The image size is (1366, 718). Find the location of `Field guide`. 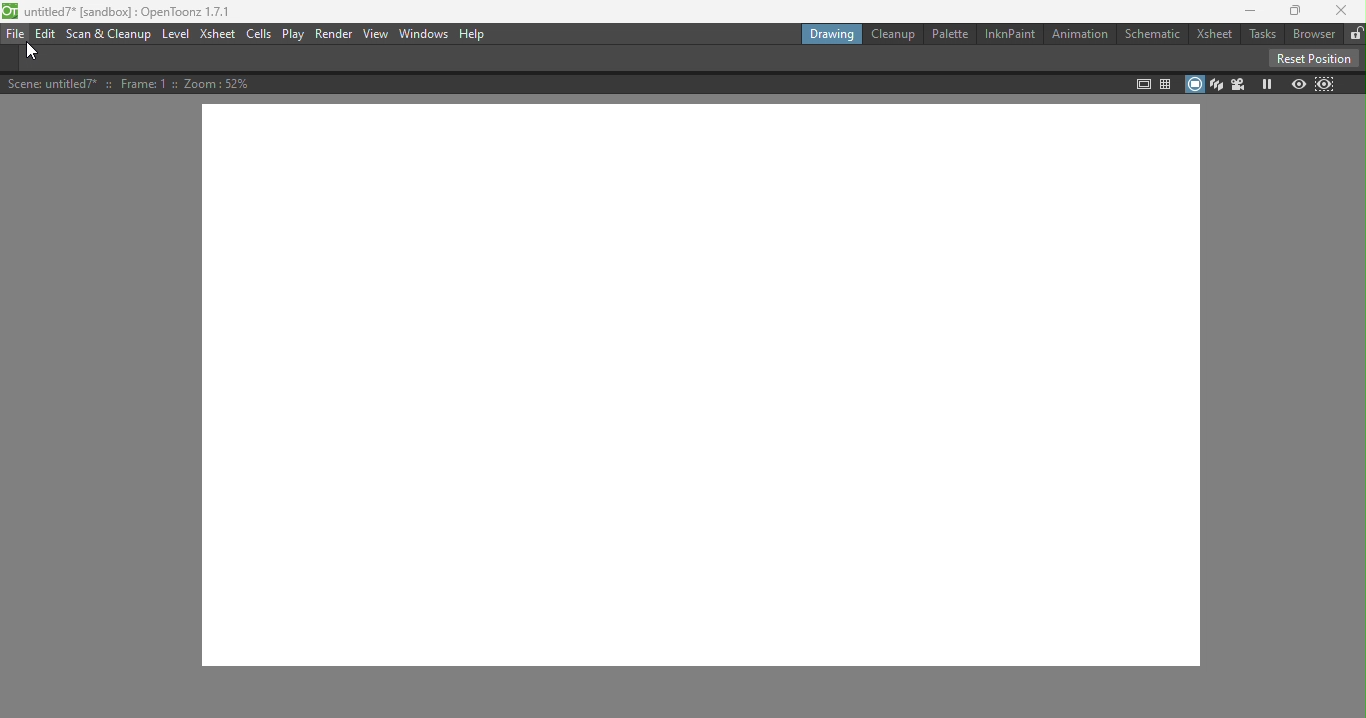

Field guide is located at coordinates (1168, 82).